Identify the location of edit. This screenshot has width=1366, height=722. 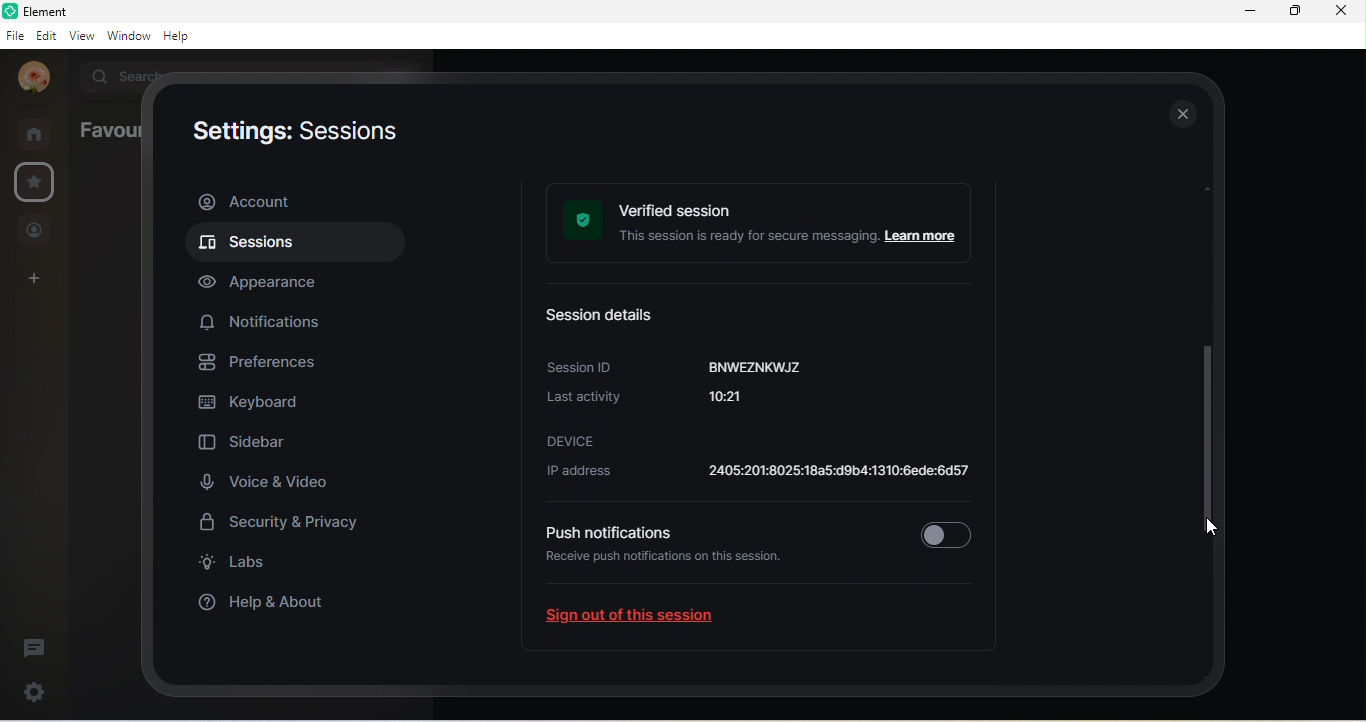
(47, 35).